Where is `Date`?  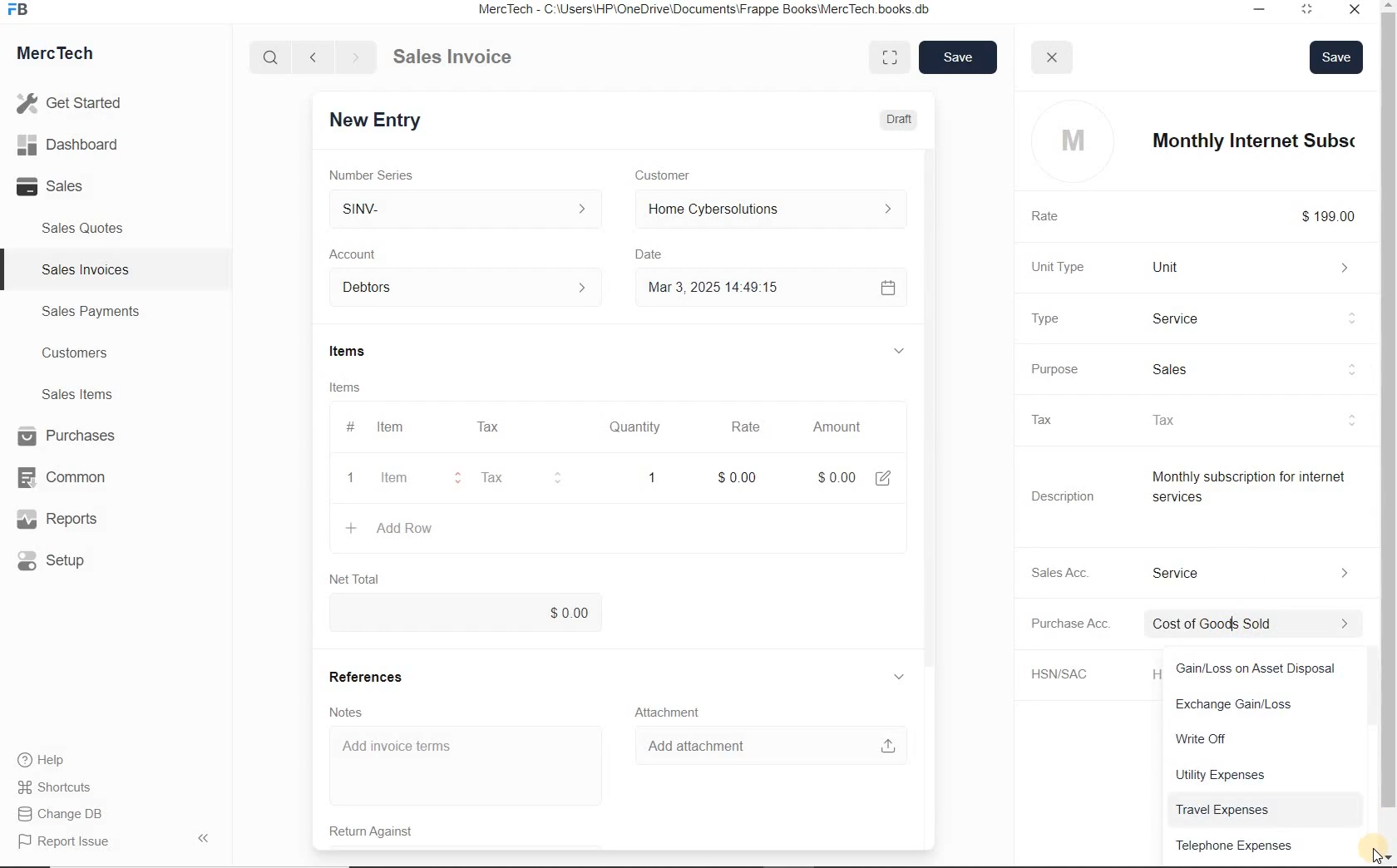 Date is located at coordinates (661, 254).